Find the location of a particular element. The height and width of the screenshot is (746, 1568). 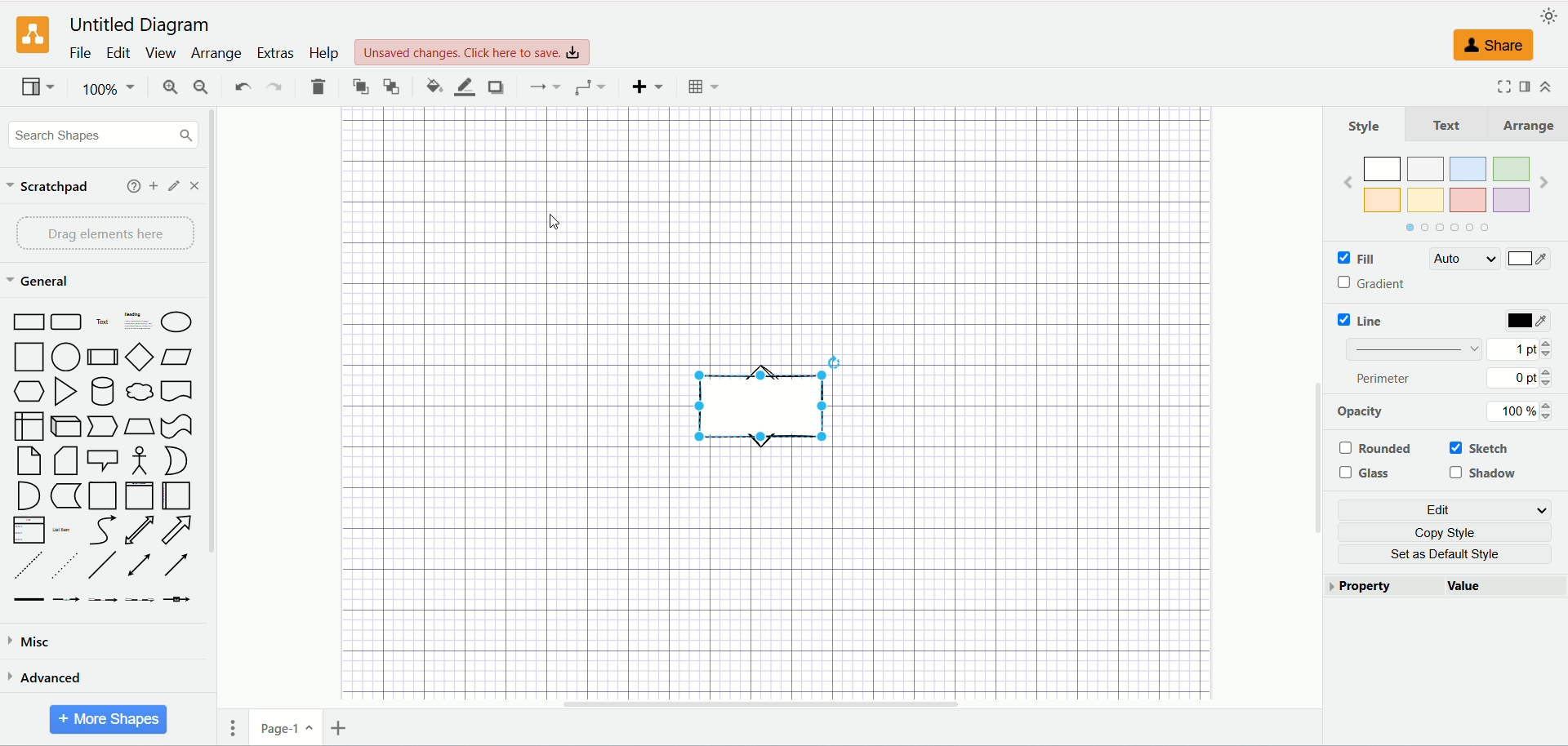

Rectantangle is located at coordinates (28, 322).